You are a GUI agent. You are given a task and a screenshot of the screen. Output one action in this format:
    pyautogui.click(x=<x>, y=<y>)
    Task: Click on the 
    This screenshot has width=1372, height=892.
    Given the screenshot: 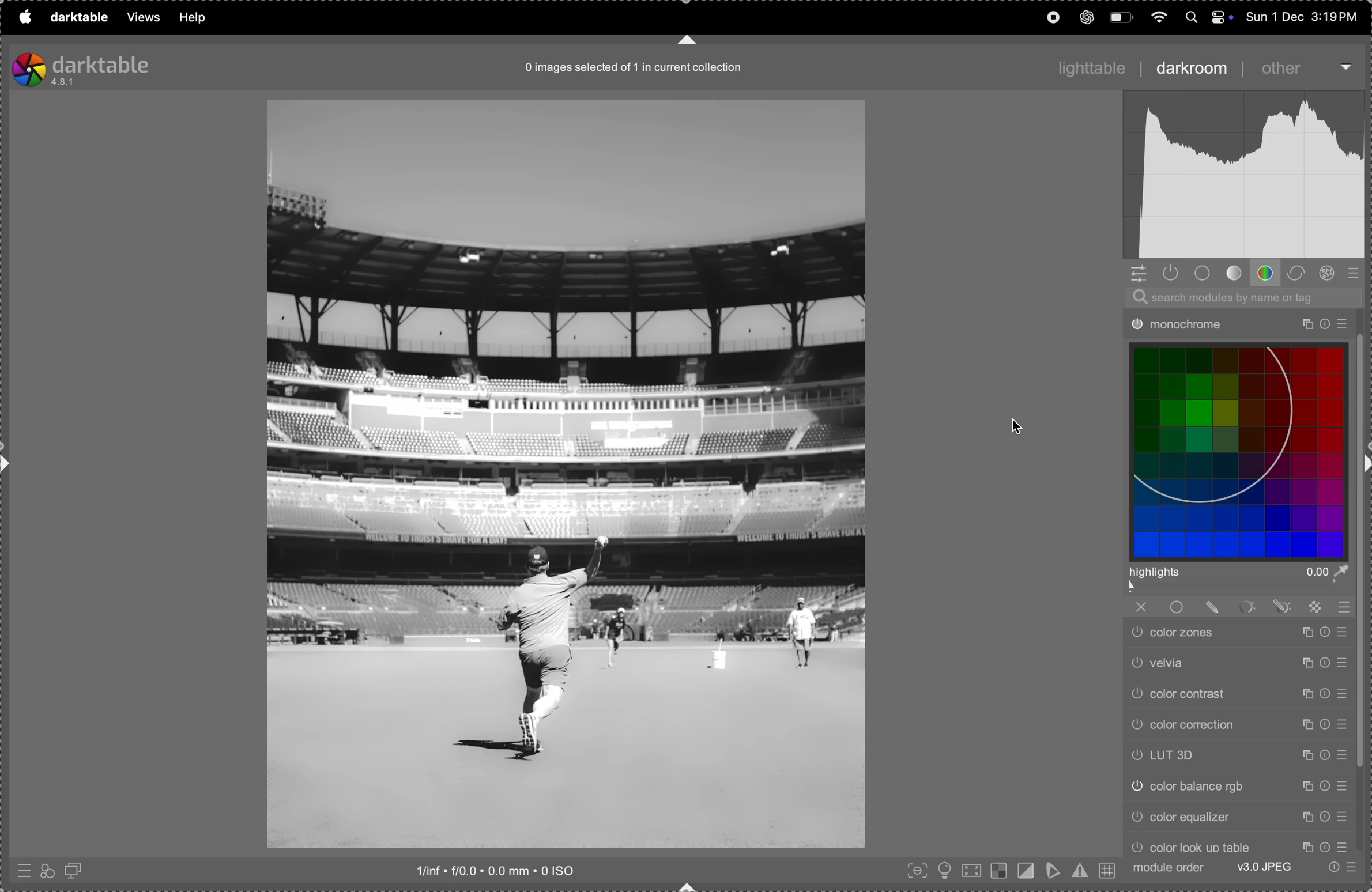 What is the action you would take?
    pyautogui.click(x=1245, y=320)
    